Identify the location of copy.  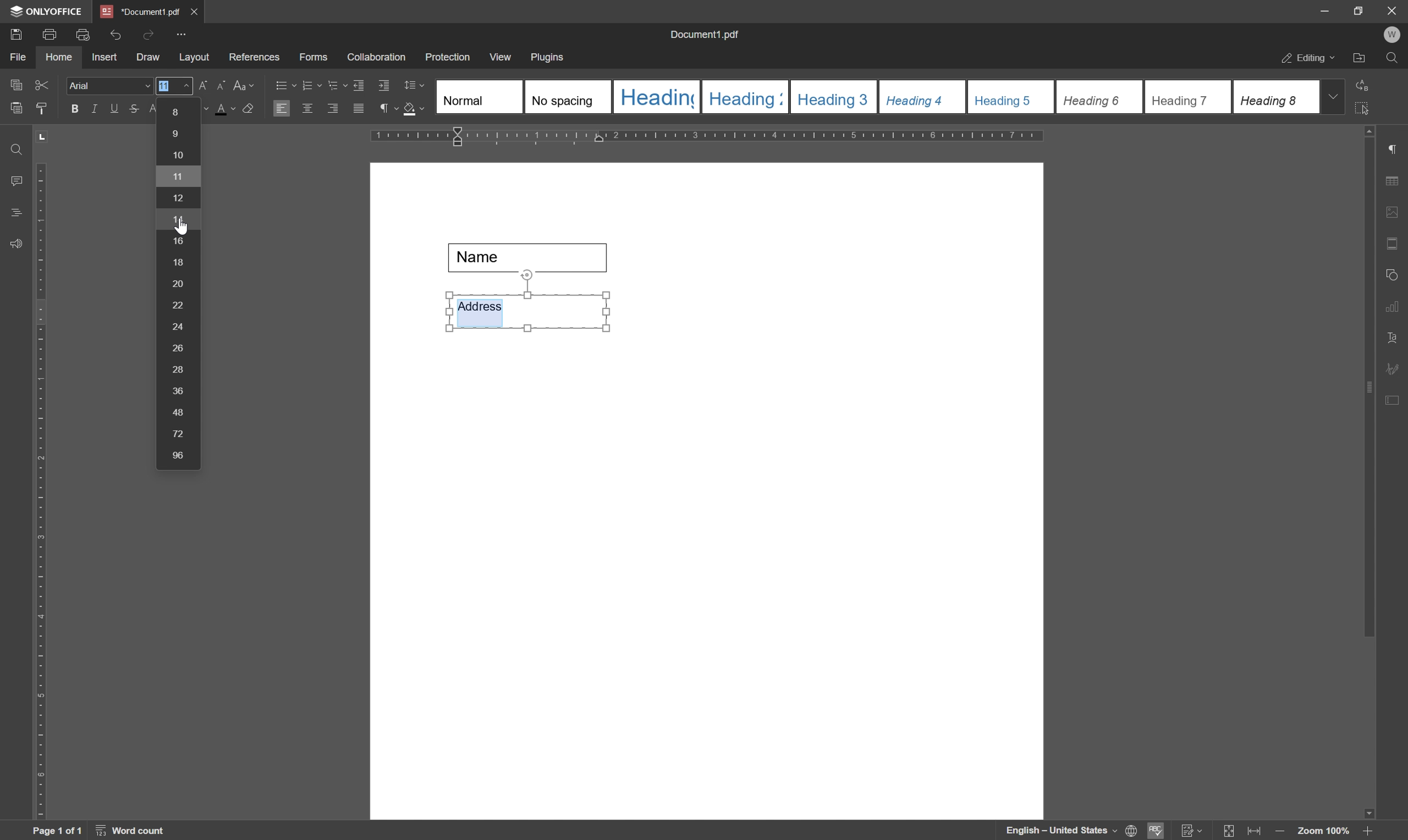
(15, 83).